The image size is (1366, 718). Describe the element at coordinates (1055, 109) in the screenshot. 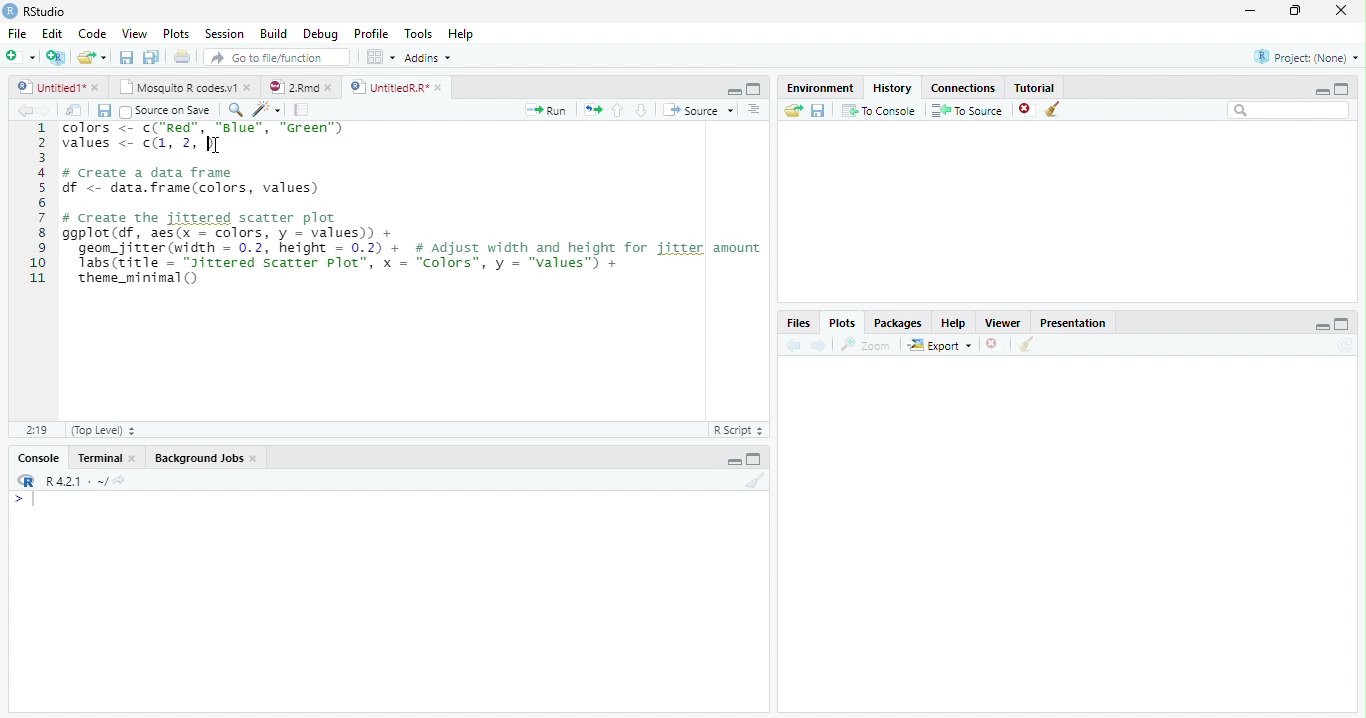

I see `Clear all history entries` at that location.